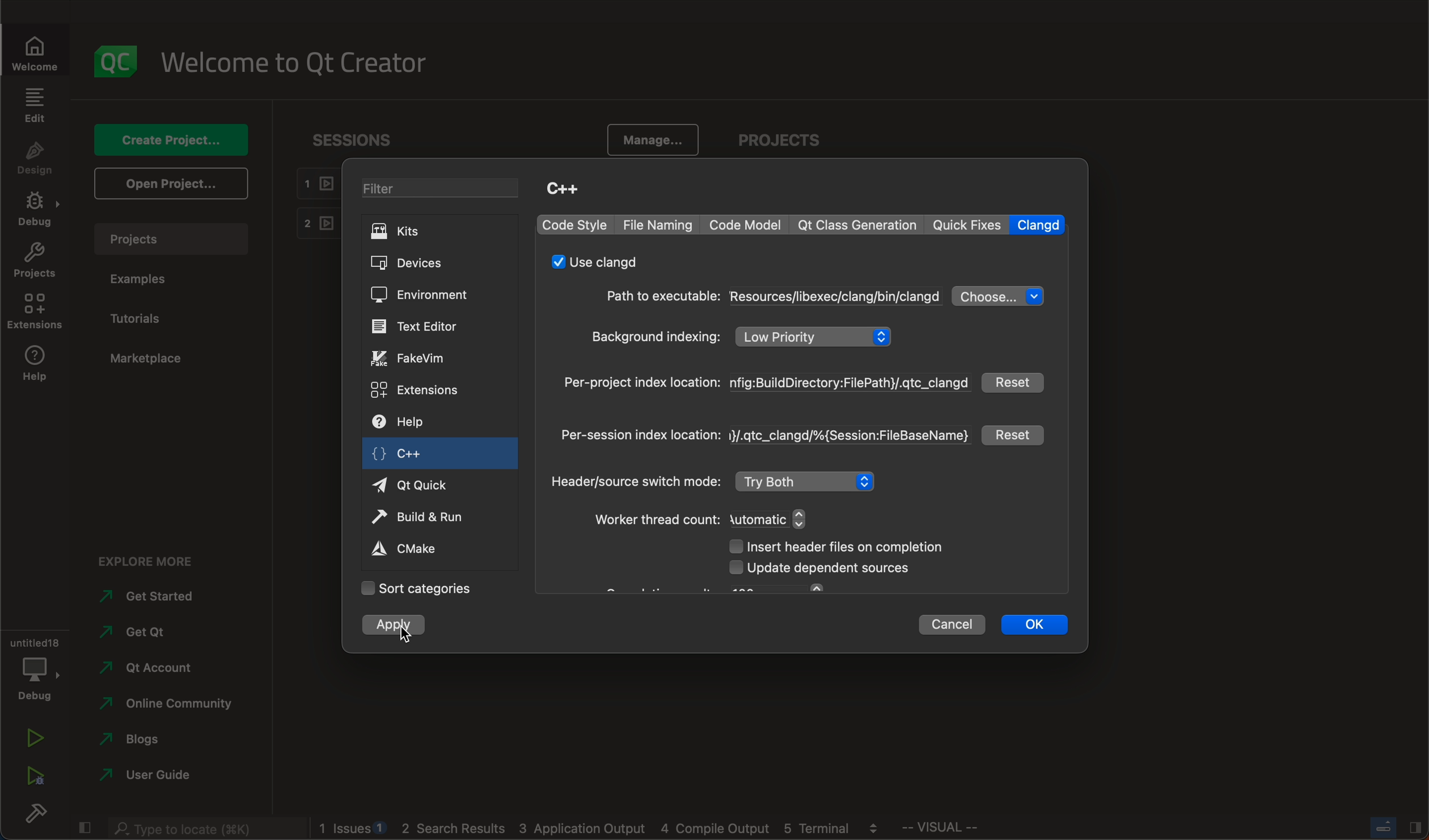 This screenshot has height=840, width=1429. What do you see at coordinates (1038, 224) in the screenshot?
I see `clangd` at bounding box center [1038, 224].